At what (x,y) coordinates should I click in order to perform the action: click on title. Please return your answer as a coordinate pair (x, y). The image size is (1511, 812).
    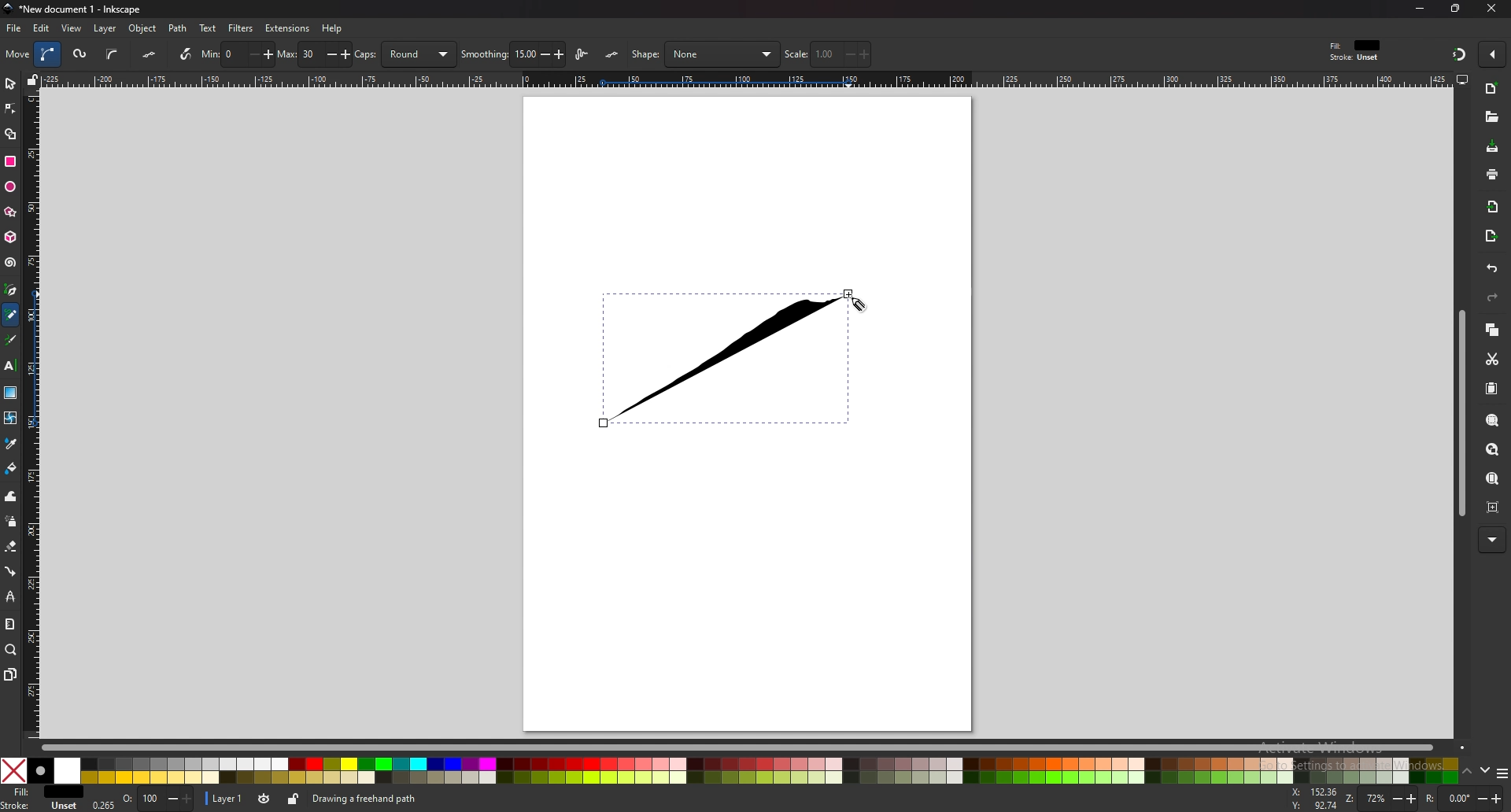
    Looking at the image, I should click on (74, 9).